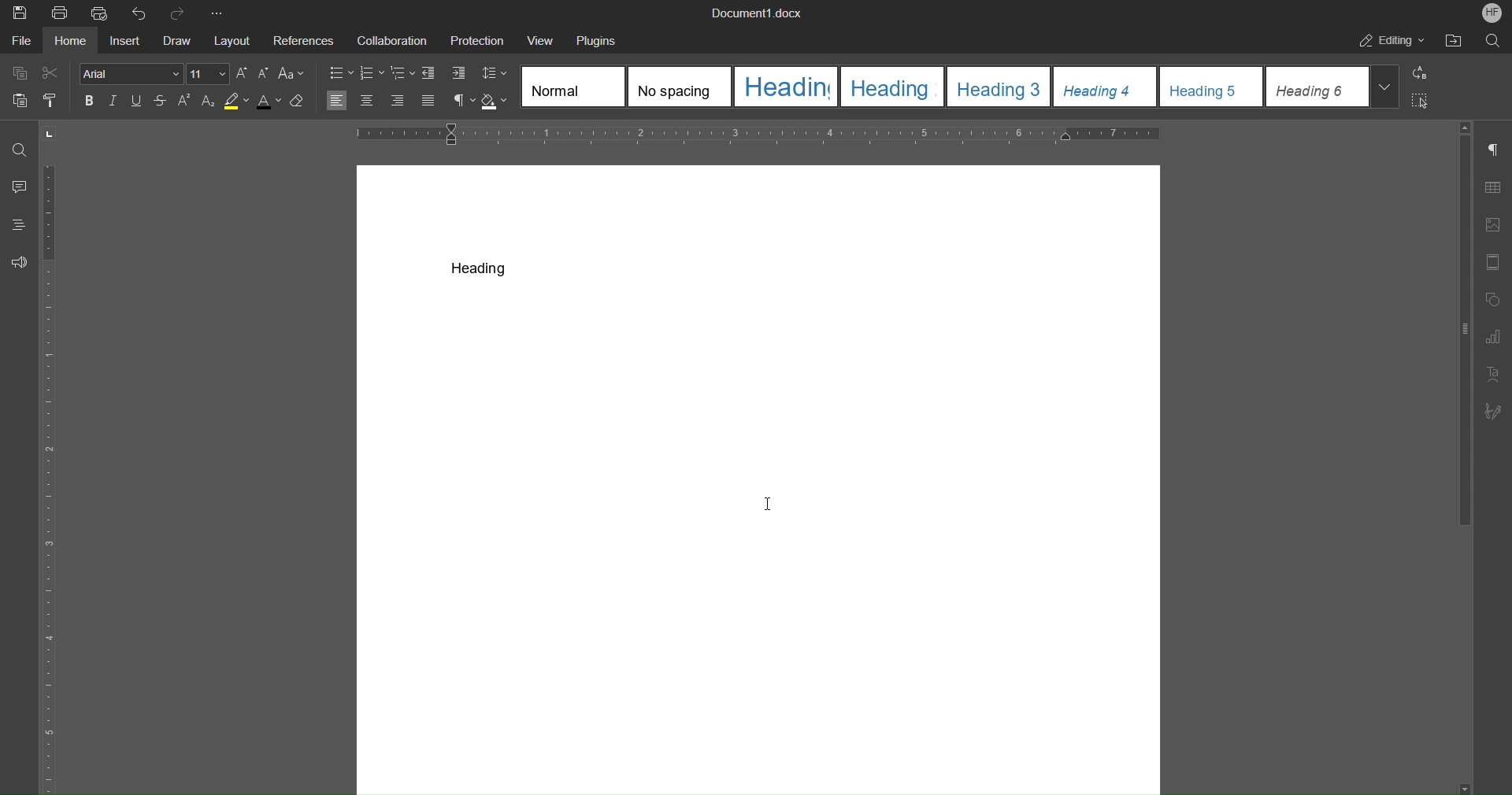  I want to click on Comments, so click(15, 188).